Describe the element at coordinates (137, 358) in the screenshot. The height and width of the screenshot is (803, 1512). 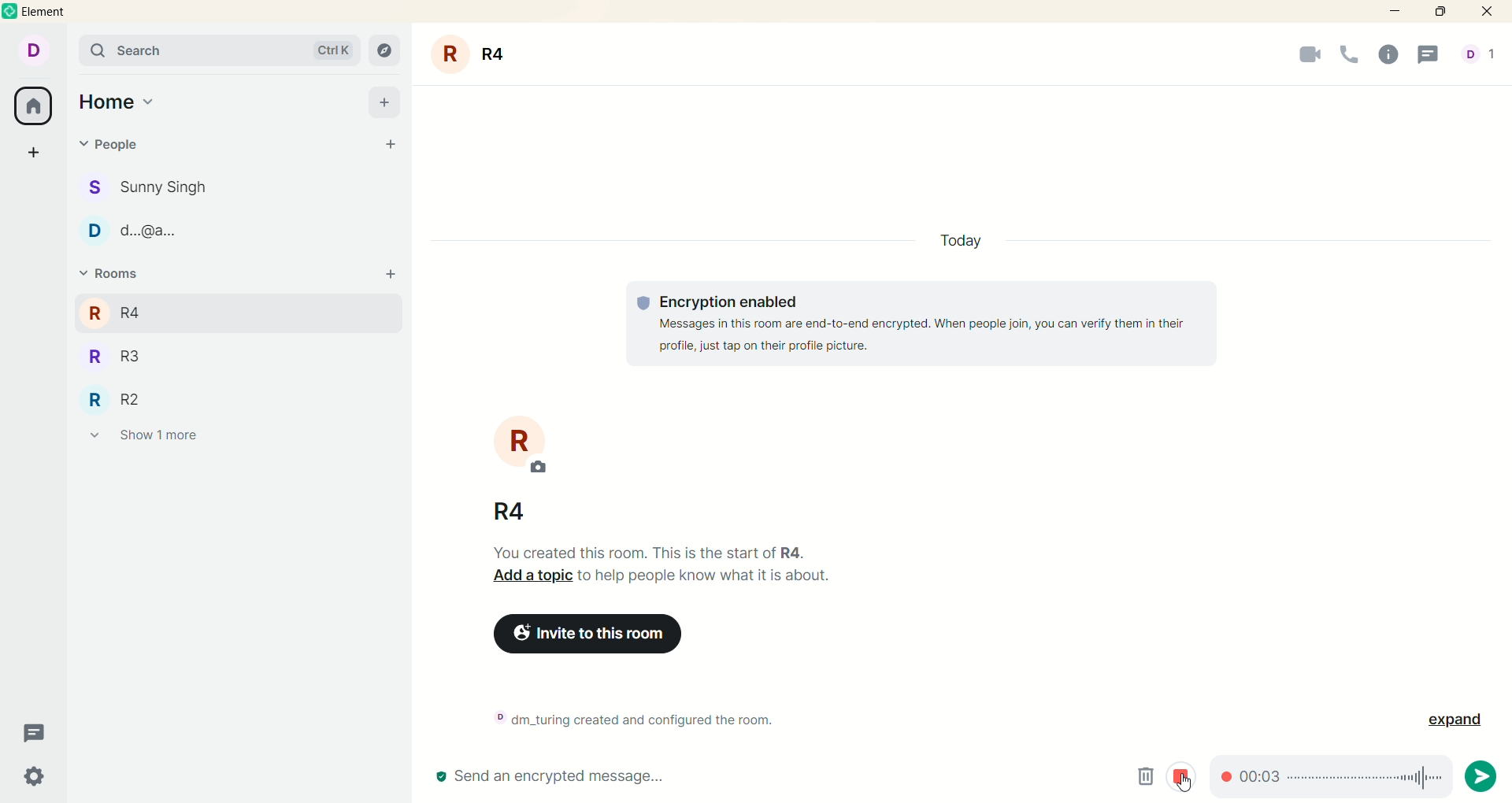
I see `R3` at that location.